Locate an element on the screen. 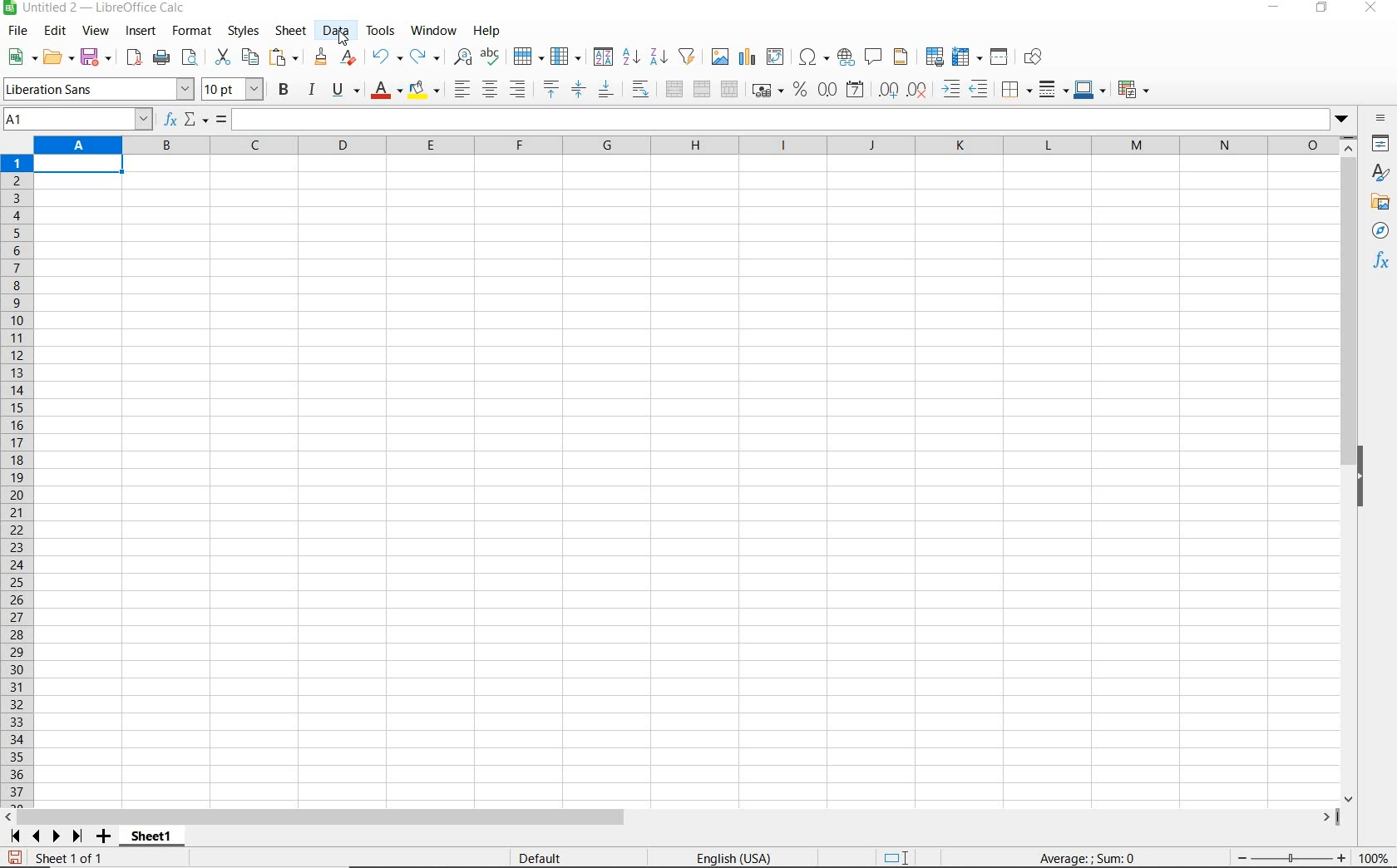 The height and width of the screenshot is (868, 1397). help is located at coordinates (486, 31).